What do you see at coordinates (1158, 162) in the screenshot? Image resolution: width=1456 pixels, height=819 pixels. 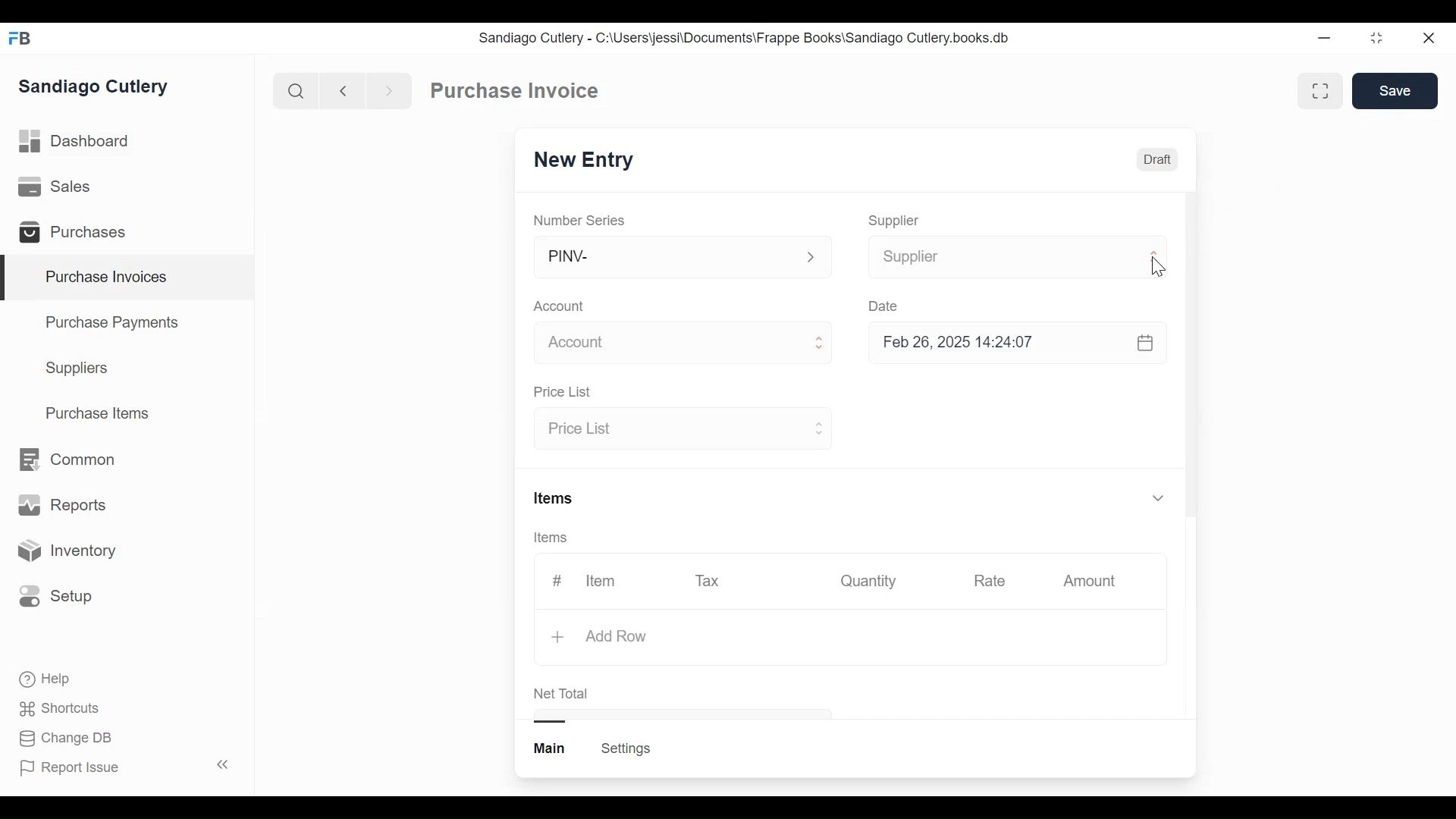 I see `Draft` at bounding box center [1158, 162].